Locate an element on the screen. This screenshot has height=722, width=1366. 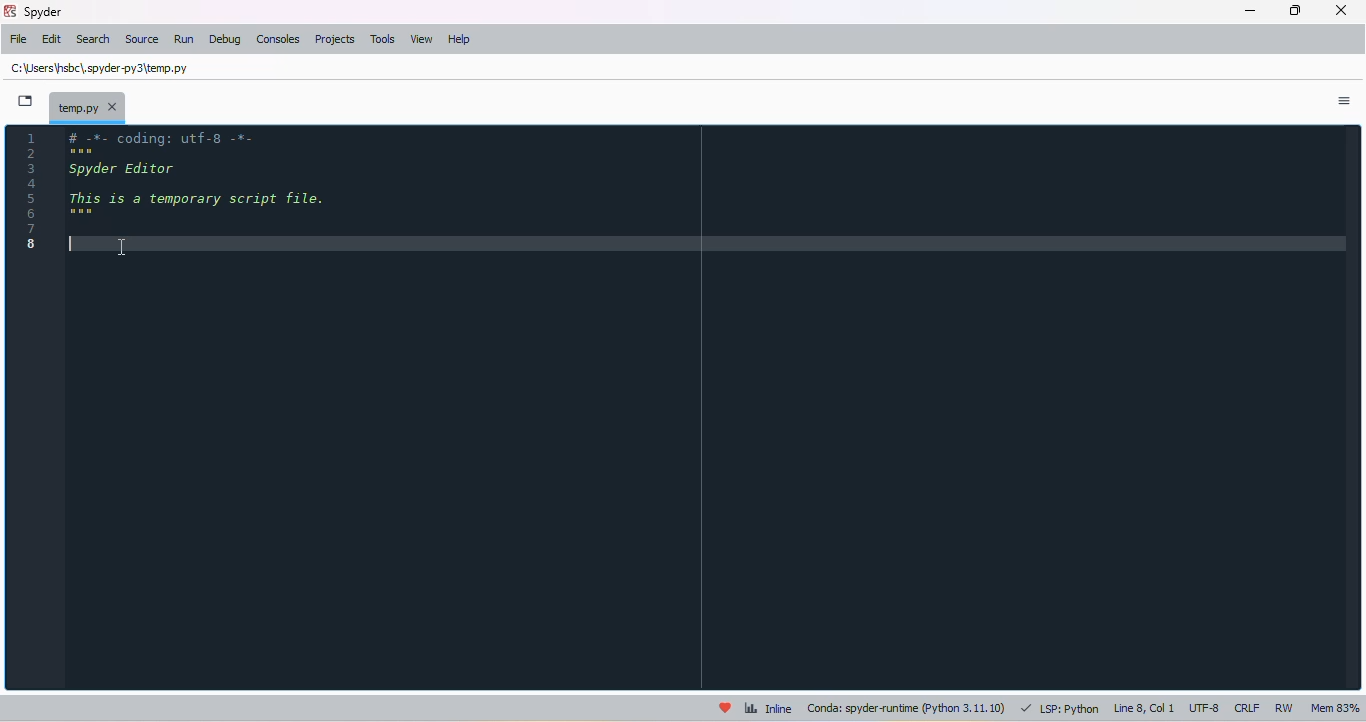
projects is located at coordinates (335, 39).